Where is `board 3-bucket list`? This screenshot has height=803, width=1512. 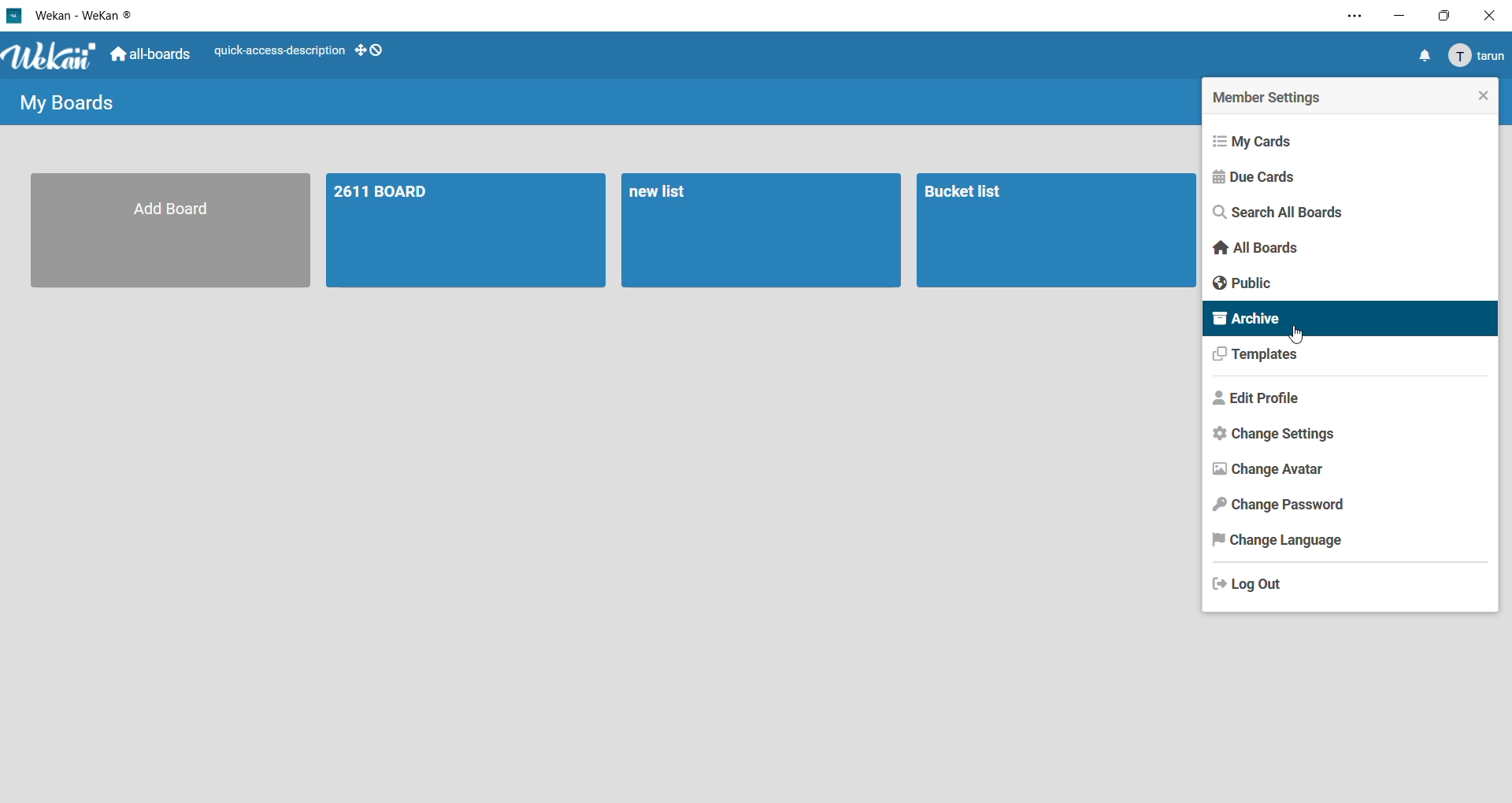 board 3-bucket list is located at coordinates (1057, 229).